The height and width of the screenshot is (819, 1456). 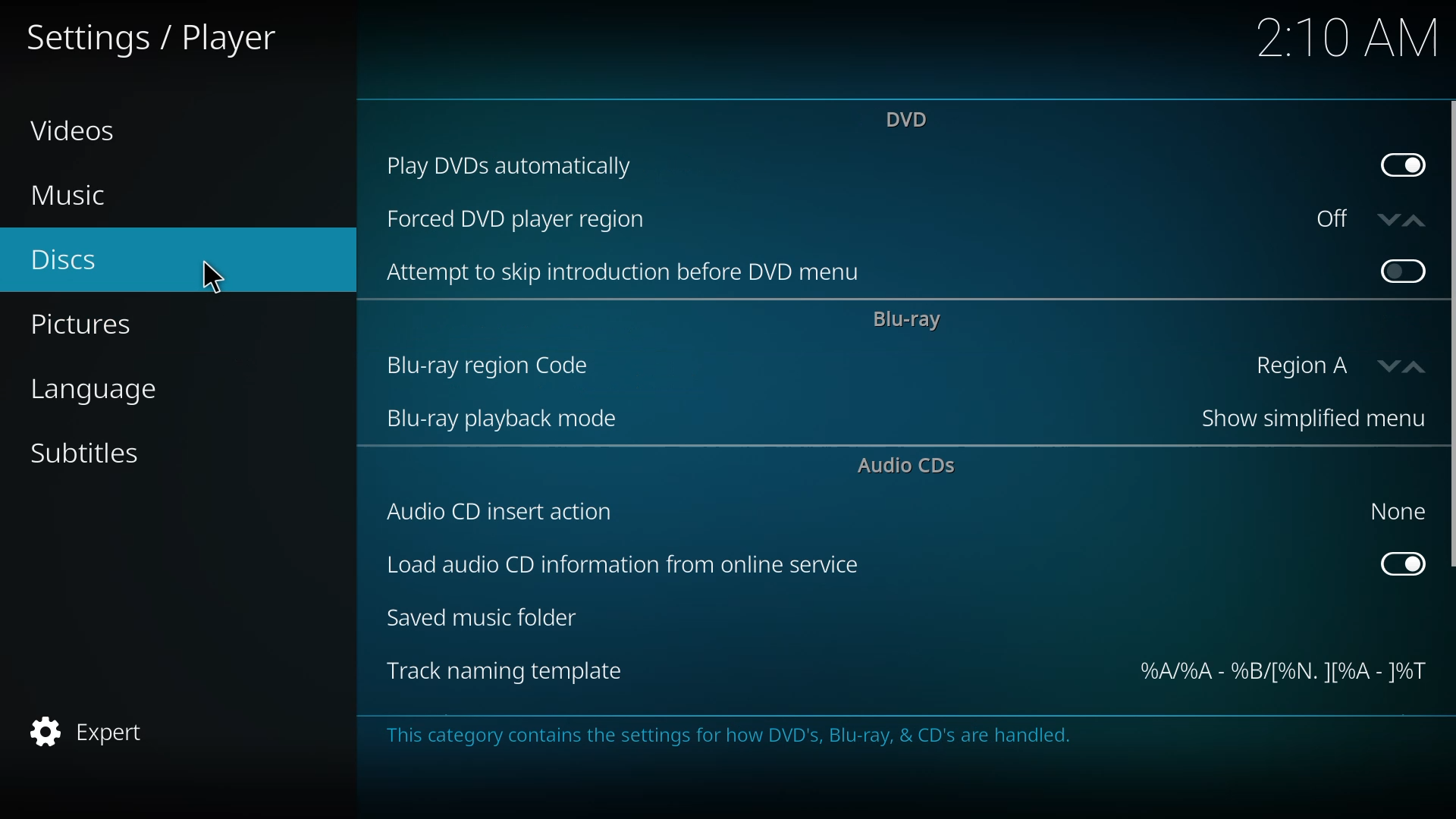 What do you see at coordinates (155, 36) in the screenshot?
I see `settings player` at bounding box center [155, 36].